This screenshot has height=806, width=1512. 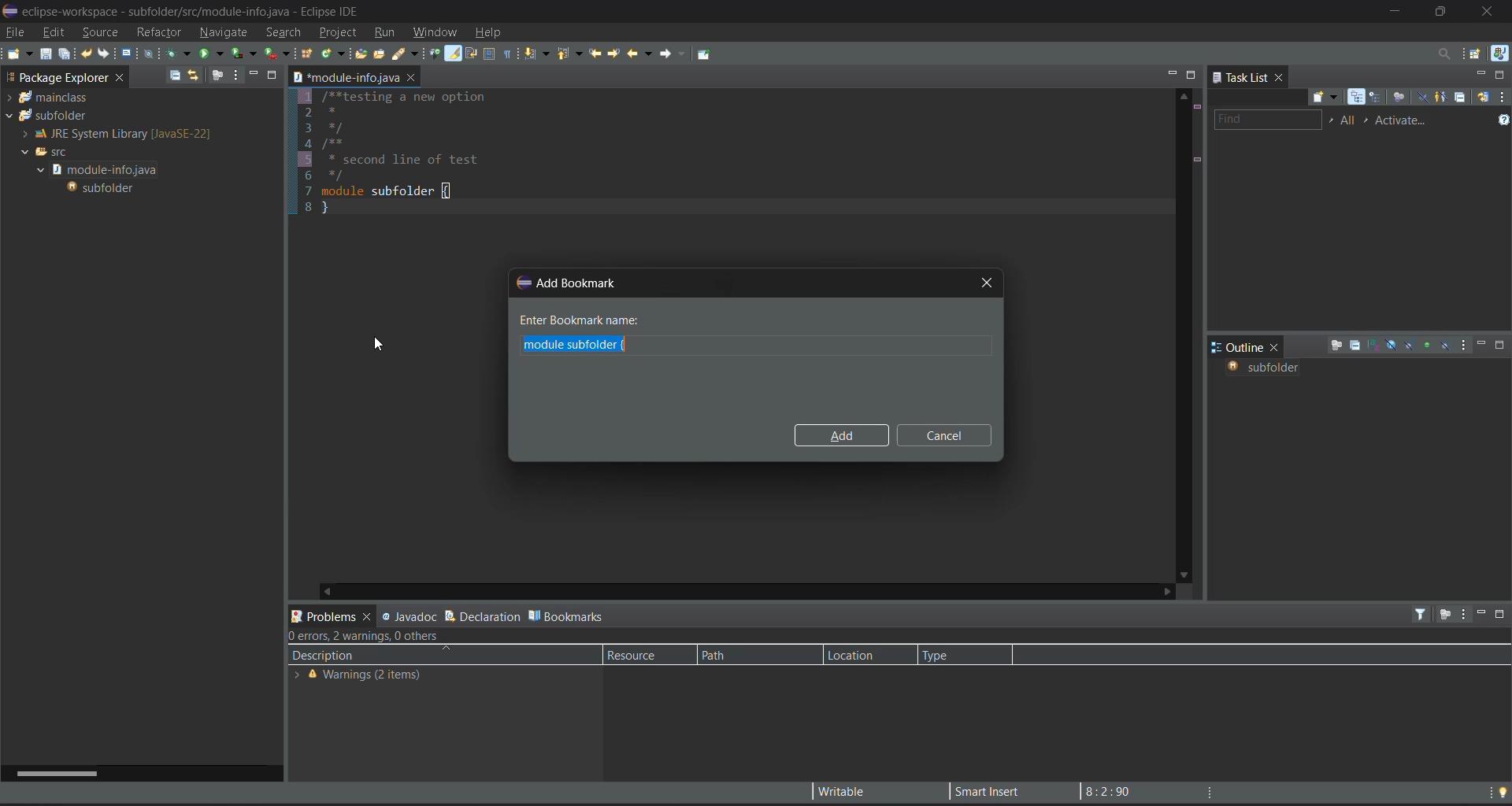 What do you see at coordinates (1482, 344) in the screenshot?
I see `minimize` at bounding box center [1482, 344].